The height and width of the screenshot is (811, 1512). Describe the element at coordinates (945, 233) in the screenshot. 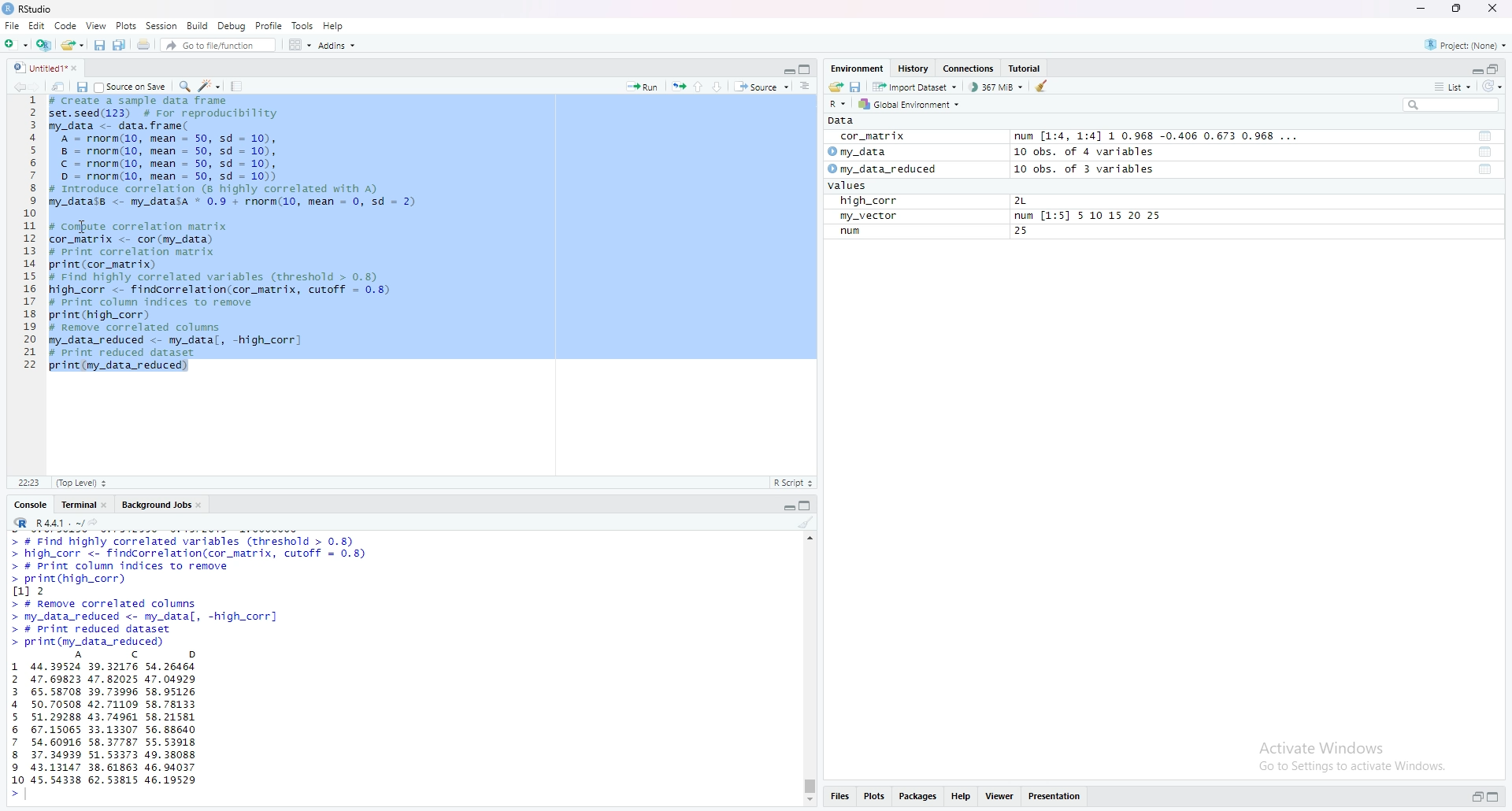

I see `num 25` at that location.